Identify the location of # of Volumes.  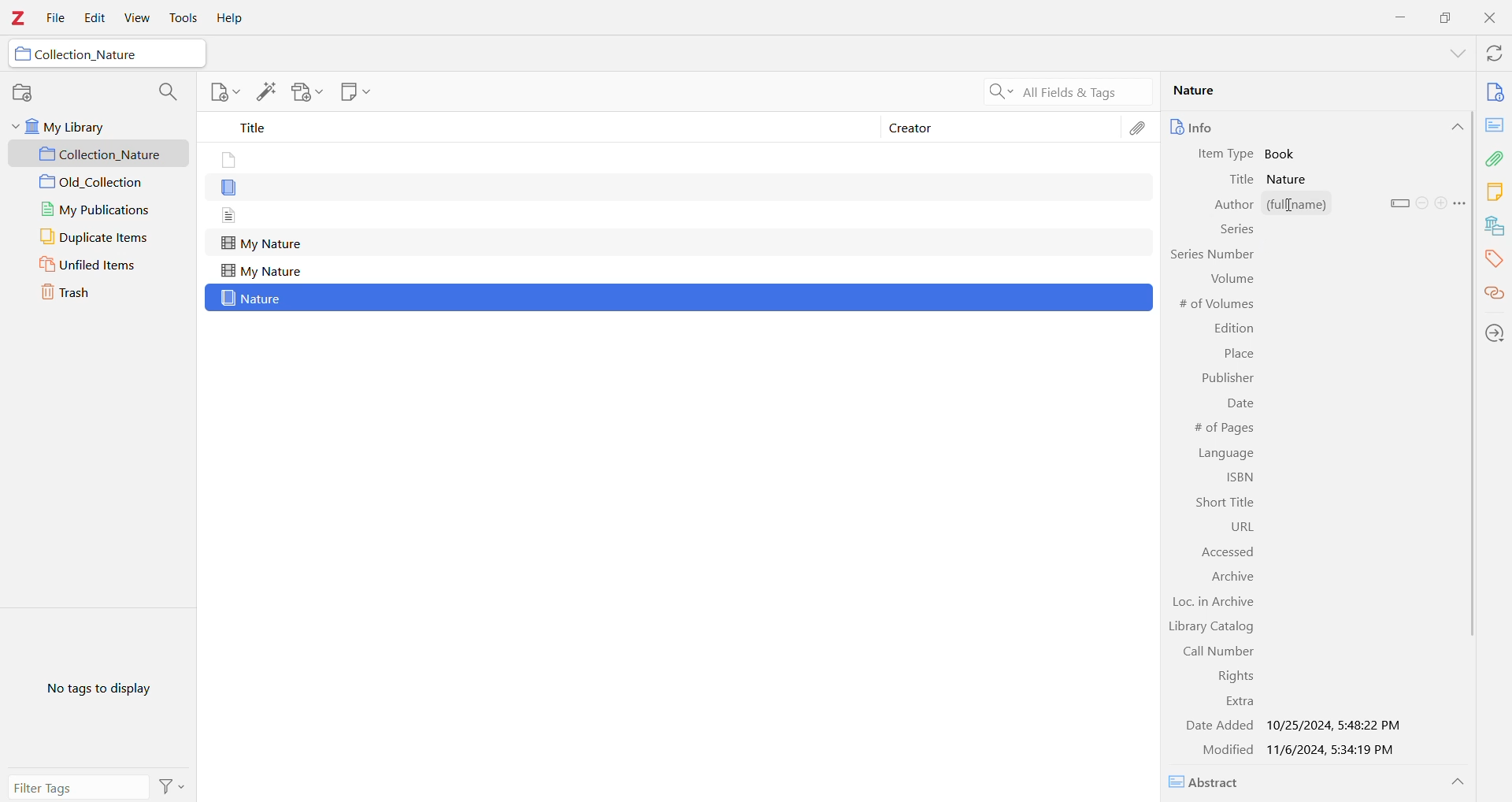
(1218, 305).